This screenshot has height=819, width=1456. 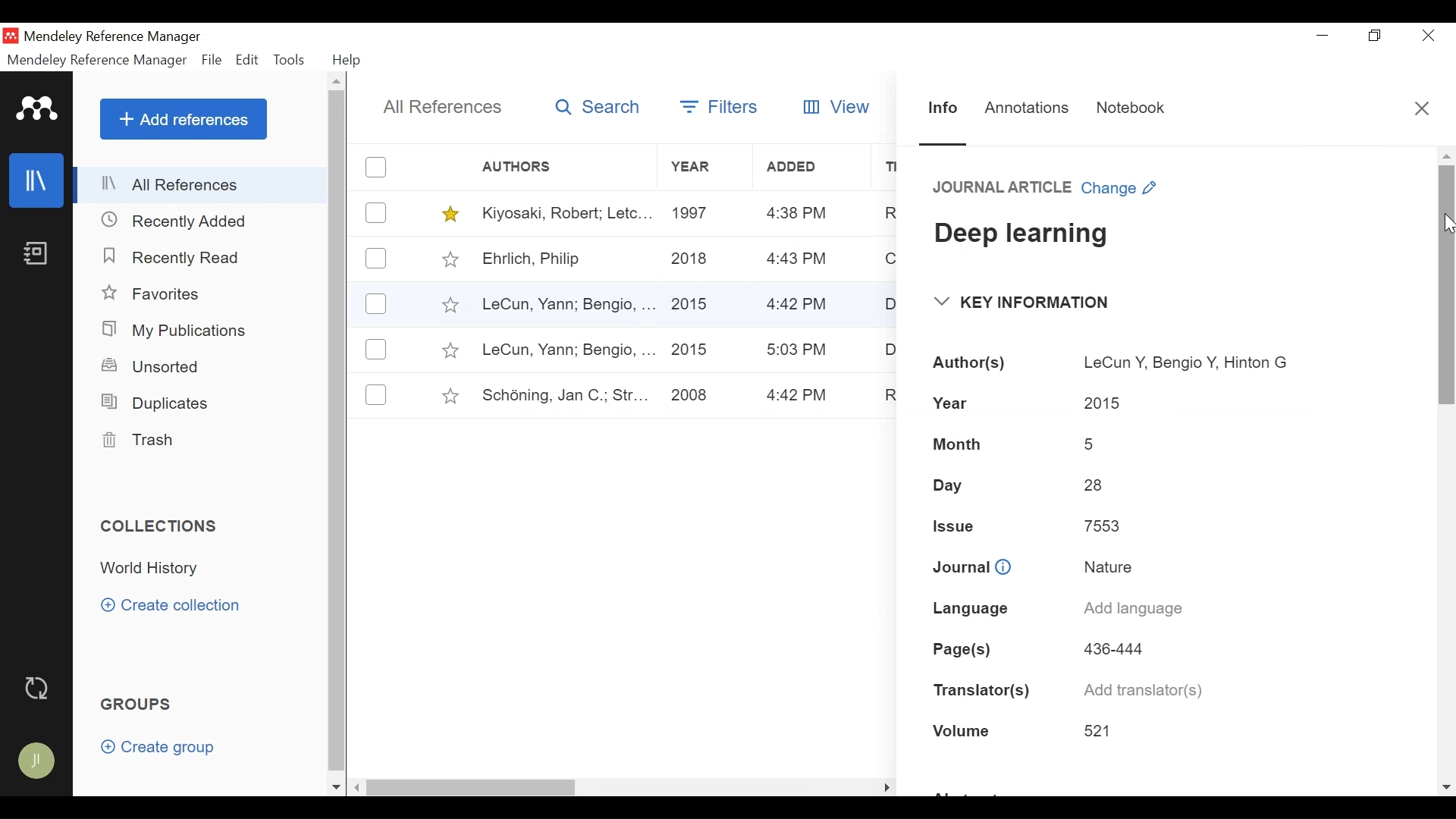 I want to click on minimize, so click(x=1323, y=35).